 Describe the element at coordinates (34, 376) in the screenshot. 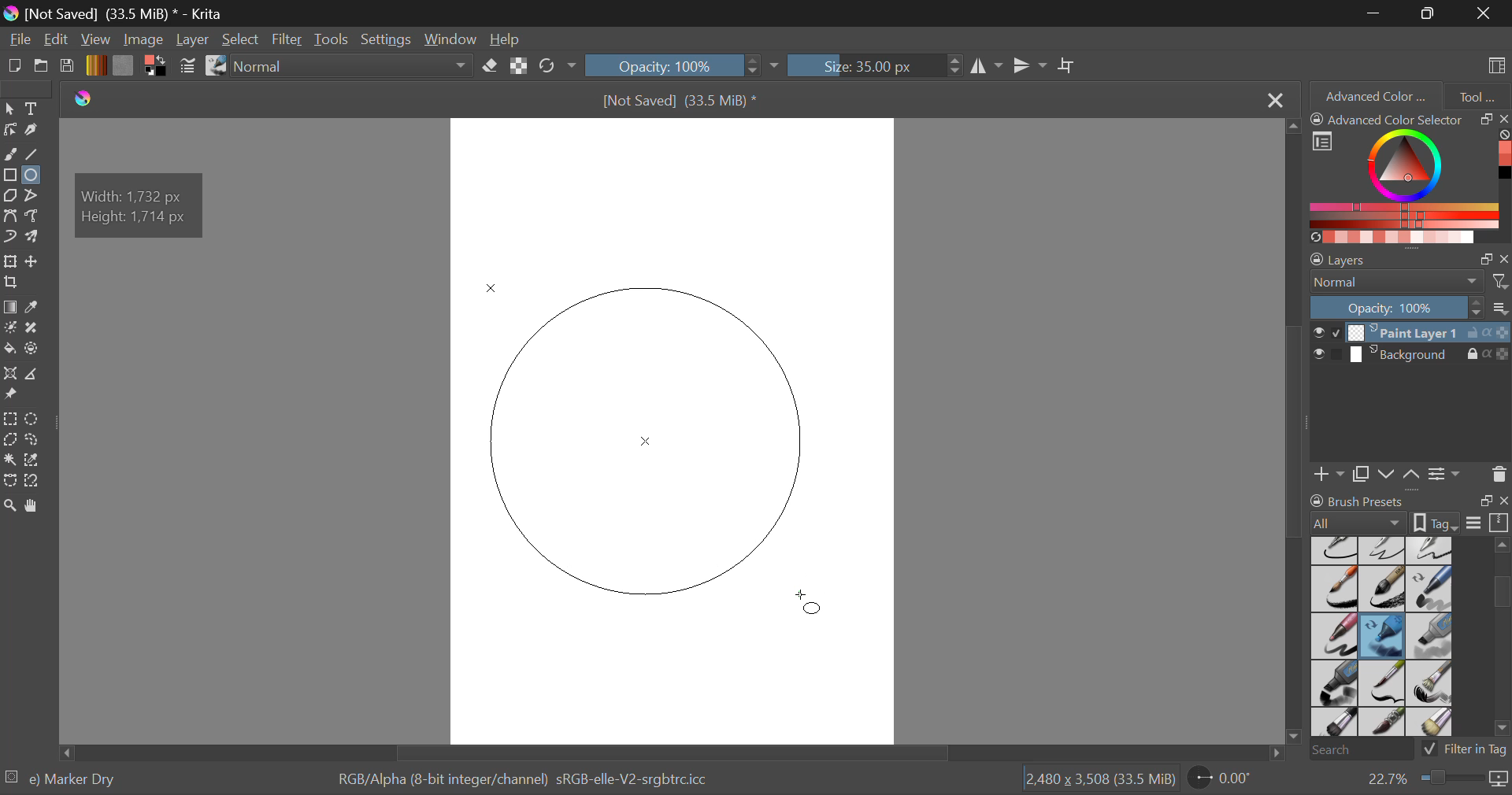

I see `Measure Images` at that location.